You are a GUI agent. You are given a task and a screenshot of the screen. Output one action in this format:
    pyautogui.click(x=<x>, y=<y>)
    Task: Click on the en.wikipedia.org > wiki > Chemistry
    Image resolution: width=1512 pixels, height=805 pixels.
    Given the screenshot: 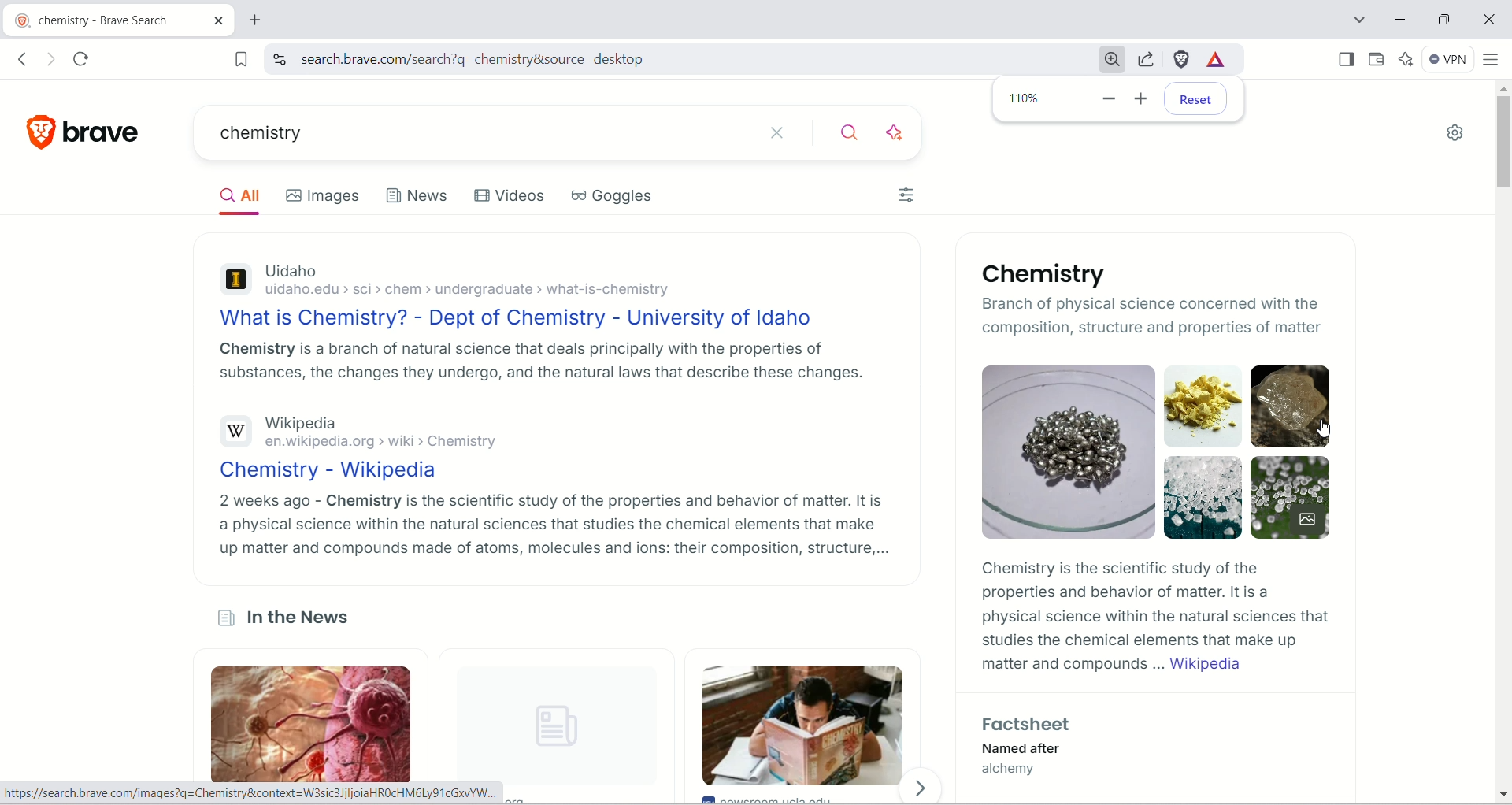 What is the action you would take?
    pyautogui.click(x=387, y=441)
    